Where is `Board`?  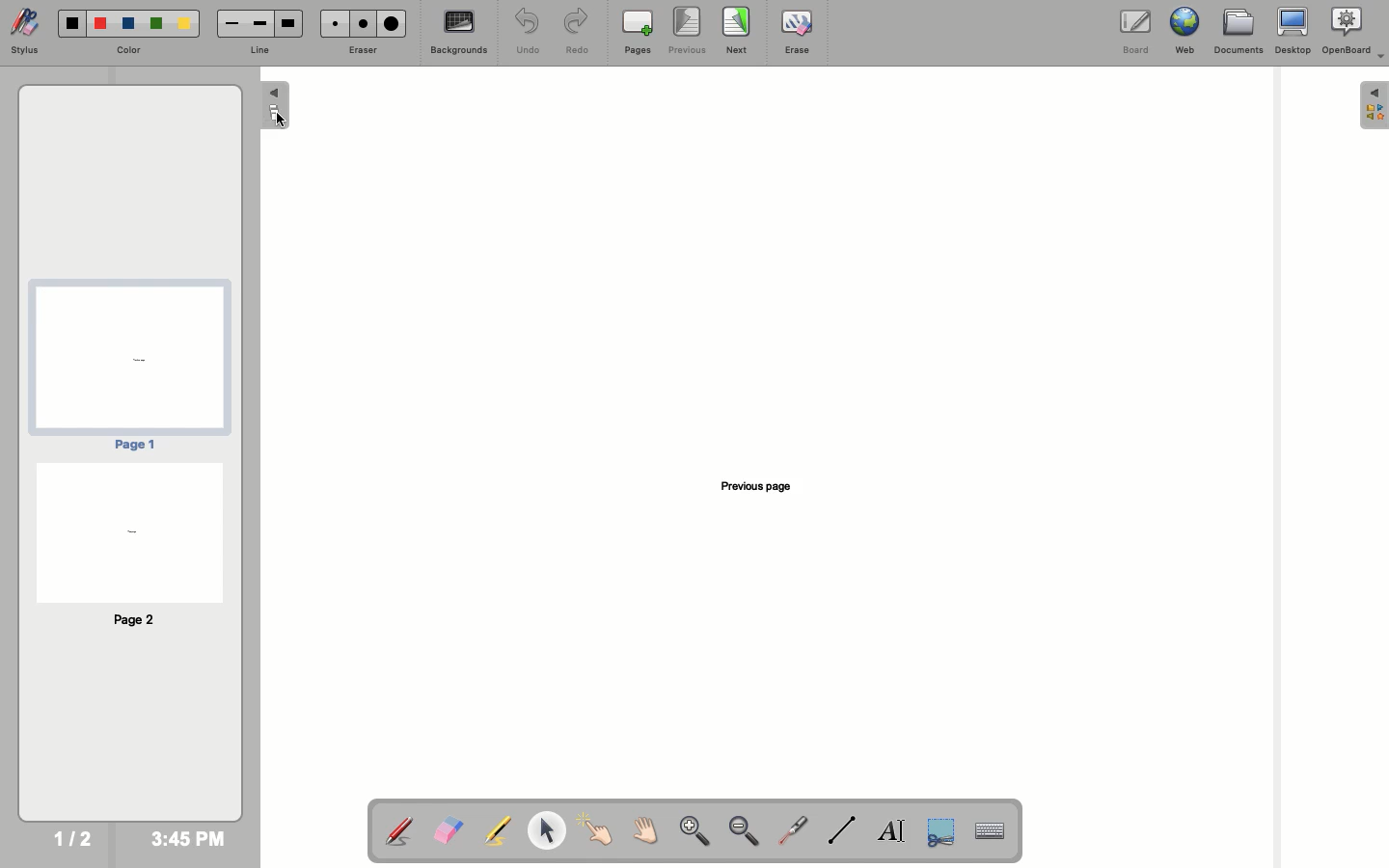
Board is located at coordinates (1136, 34).